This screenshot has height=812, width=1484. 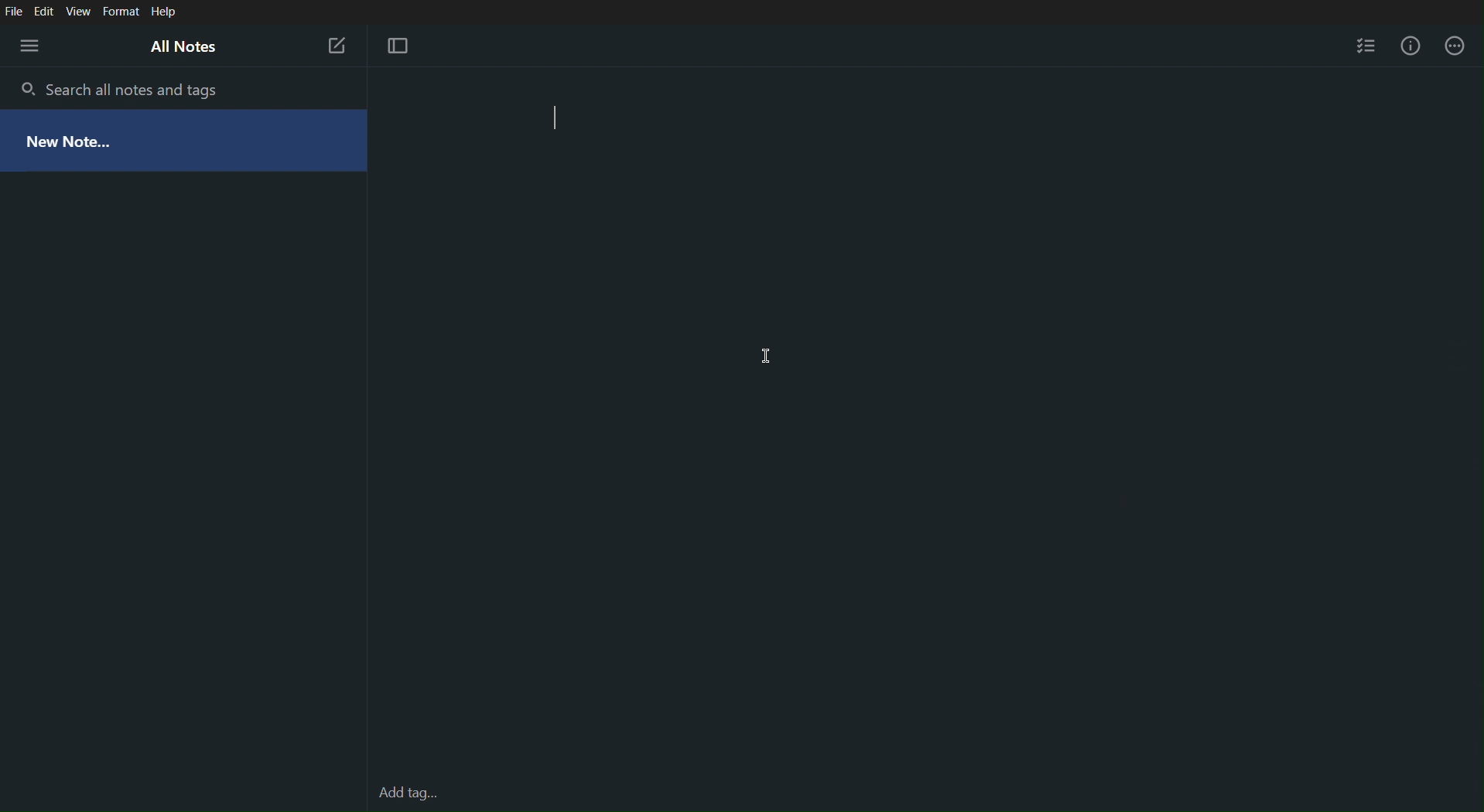 I want to click on Edit, so click(x=47, y=12).